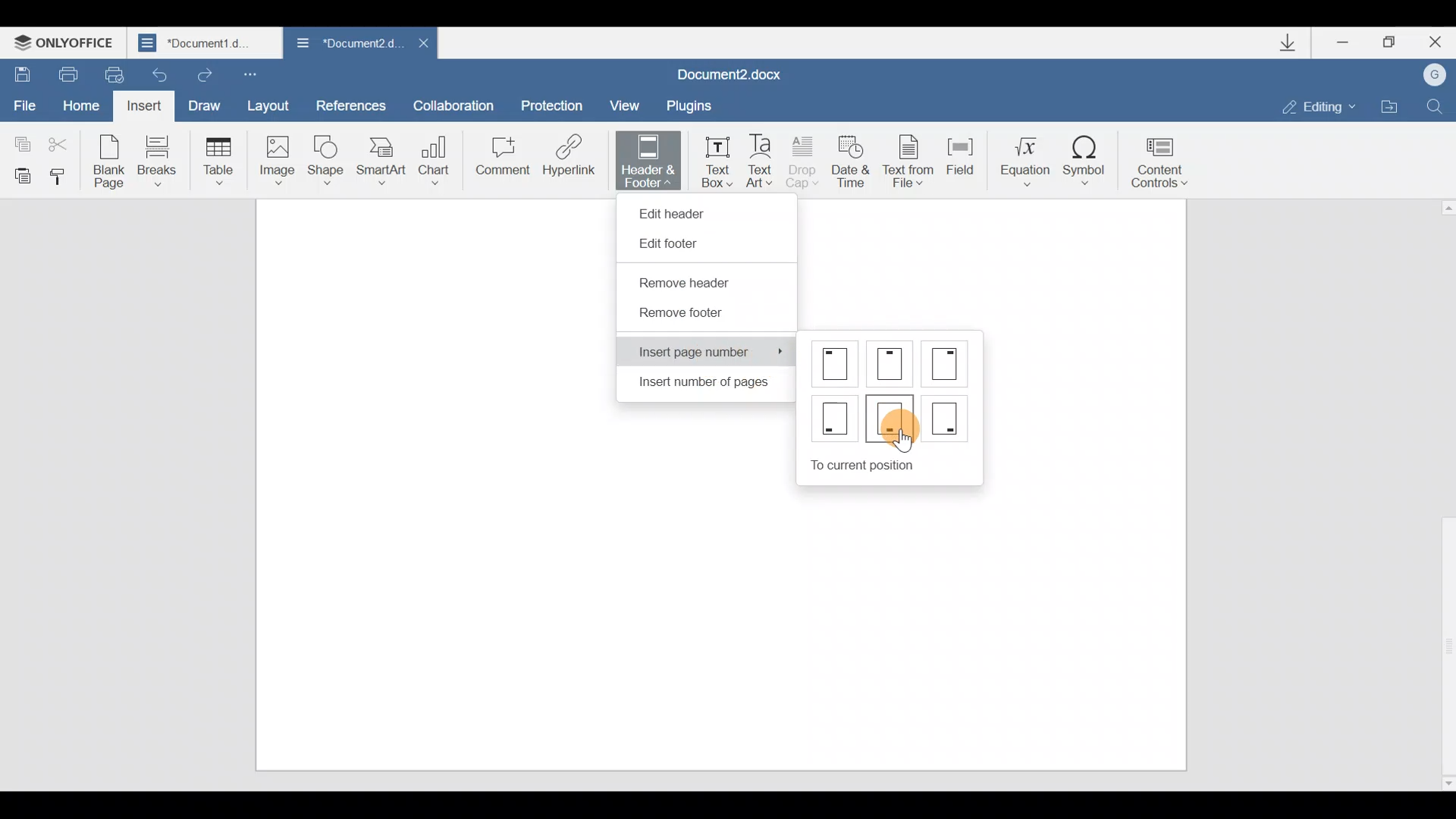 This screenshot has width=1456, height=819. I want to click on Remove header, so click(695, 284).